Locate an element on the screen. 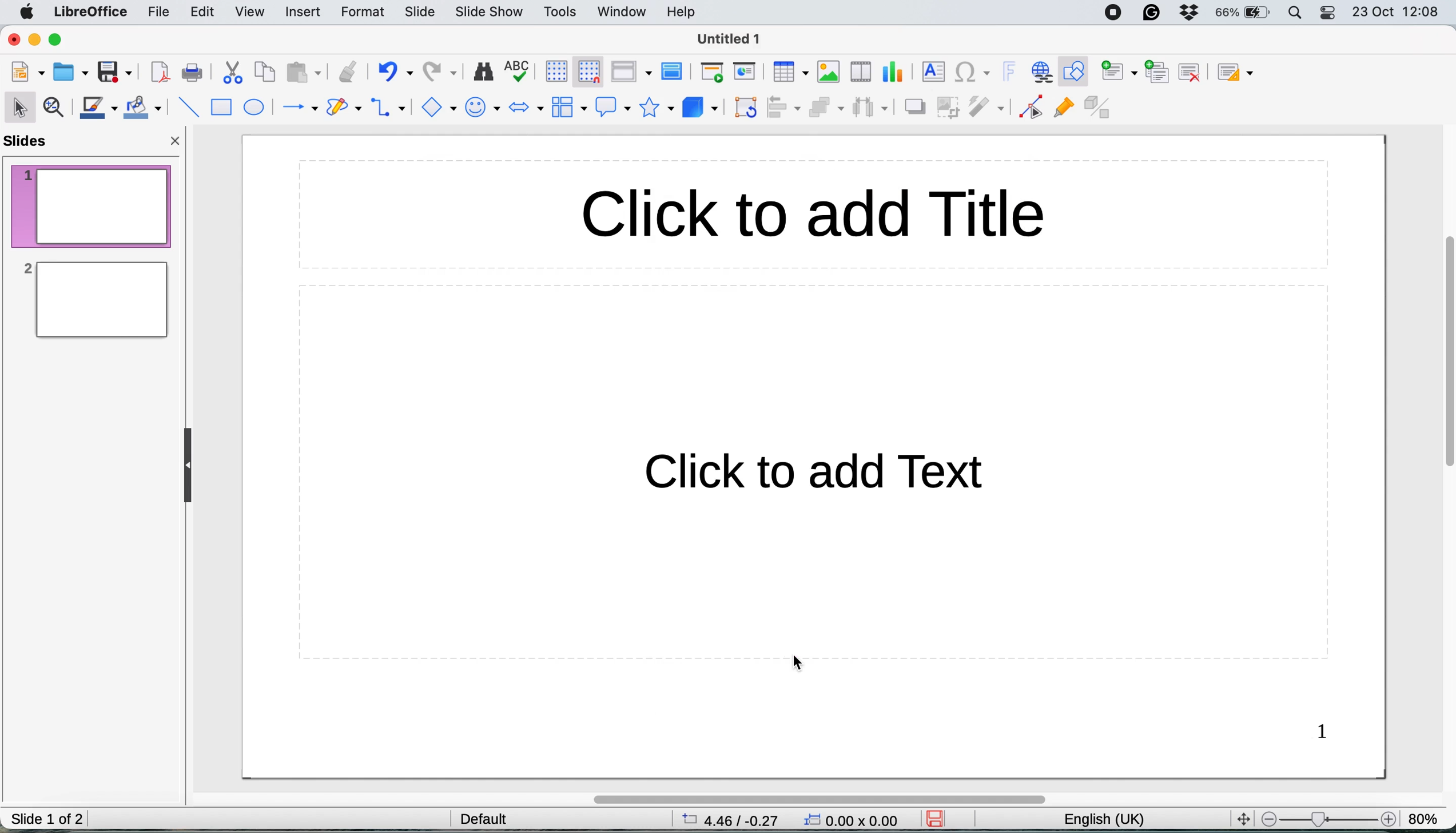  help is located at coordinates (684, 11).